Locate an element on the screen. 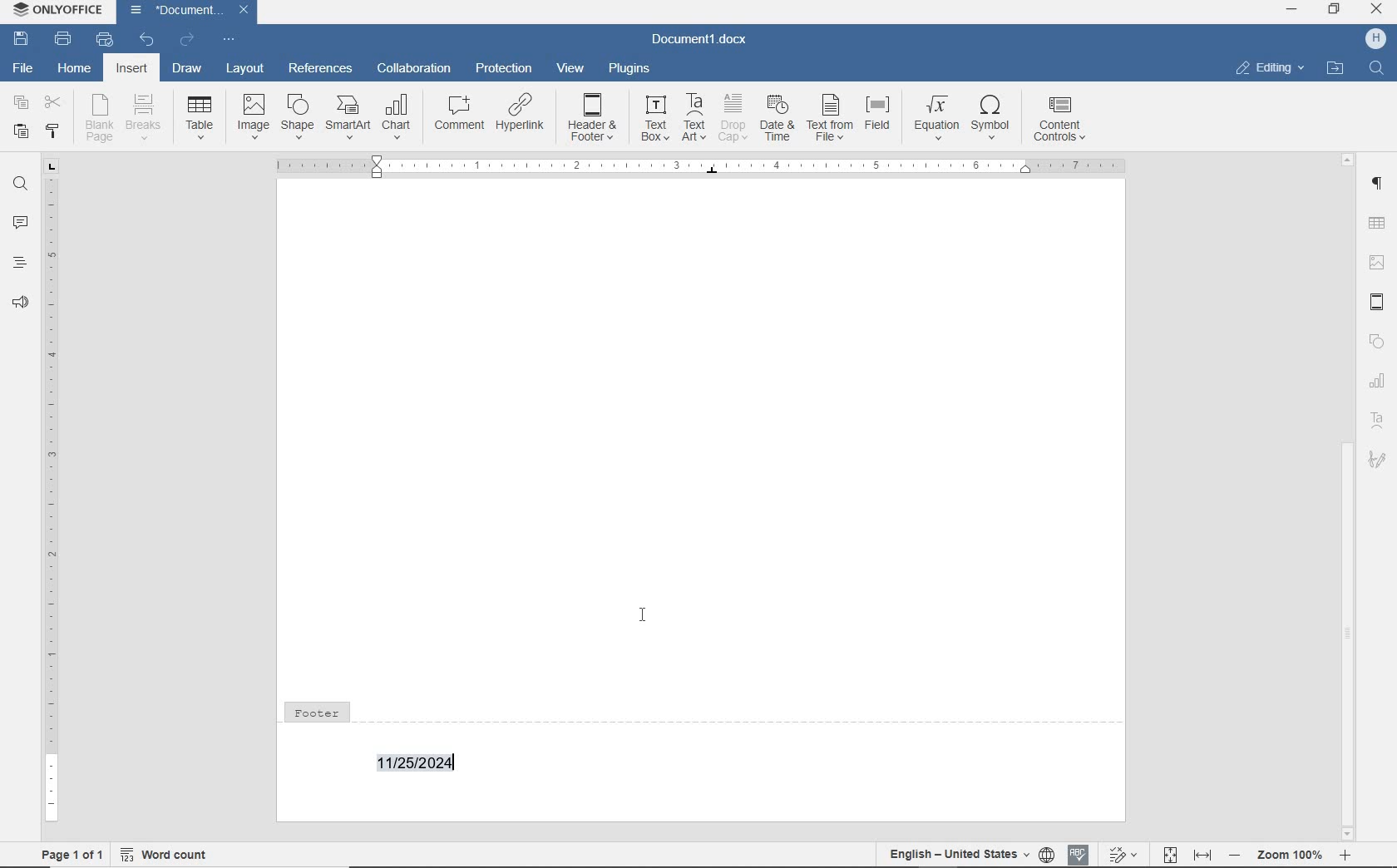  find is located at coordinates (18, 185).